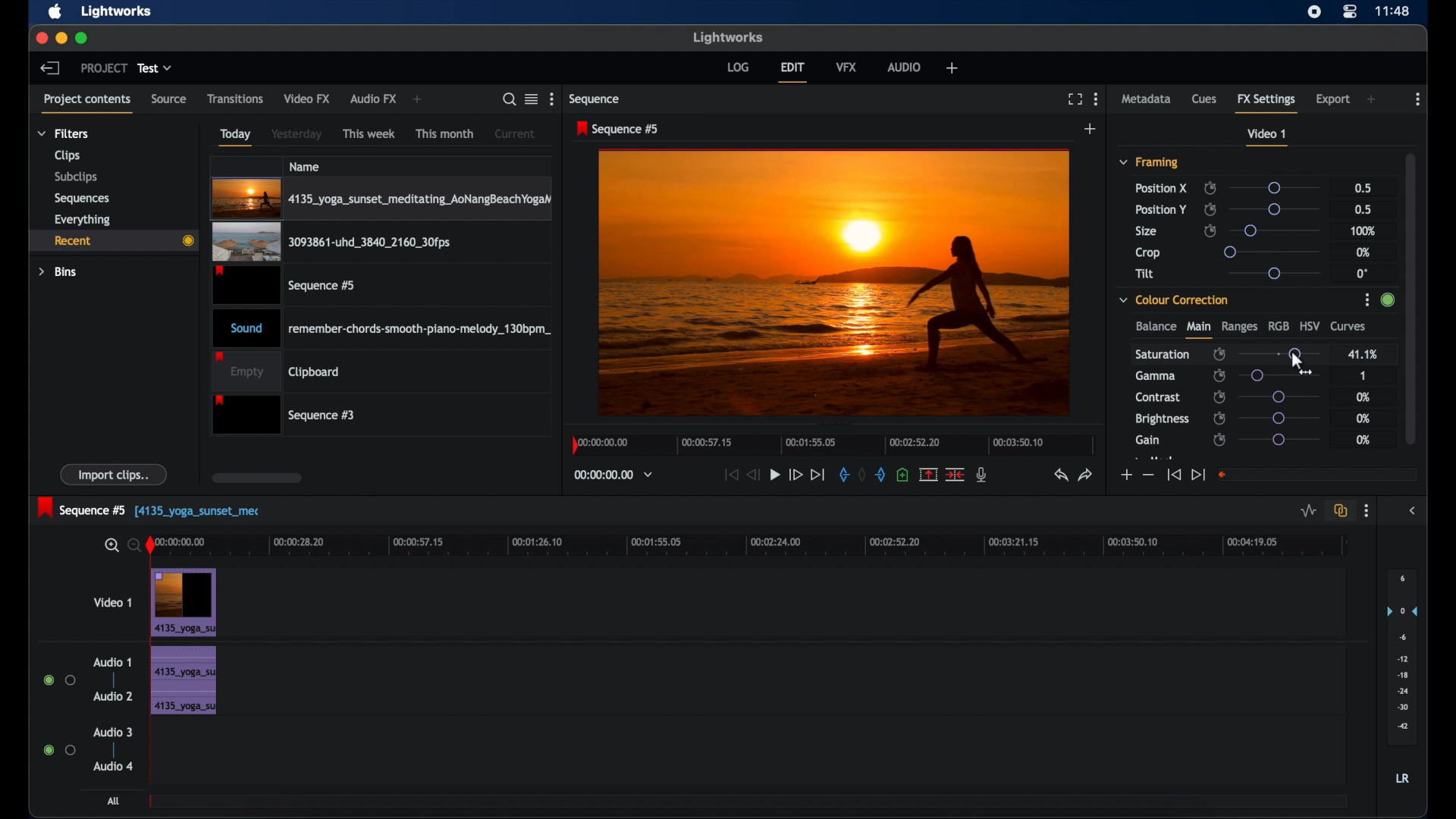 This screenshot has width=1456, height=819. I want to click on framing, so click(1150, 163).